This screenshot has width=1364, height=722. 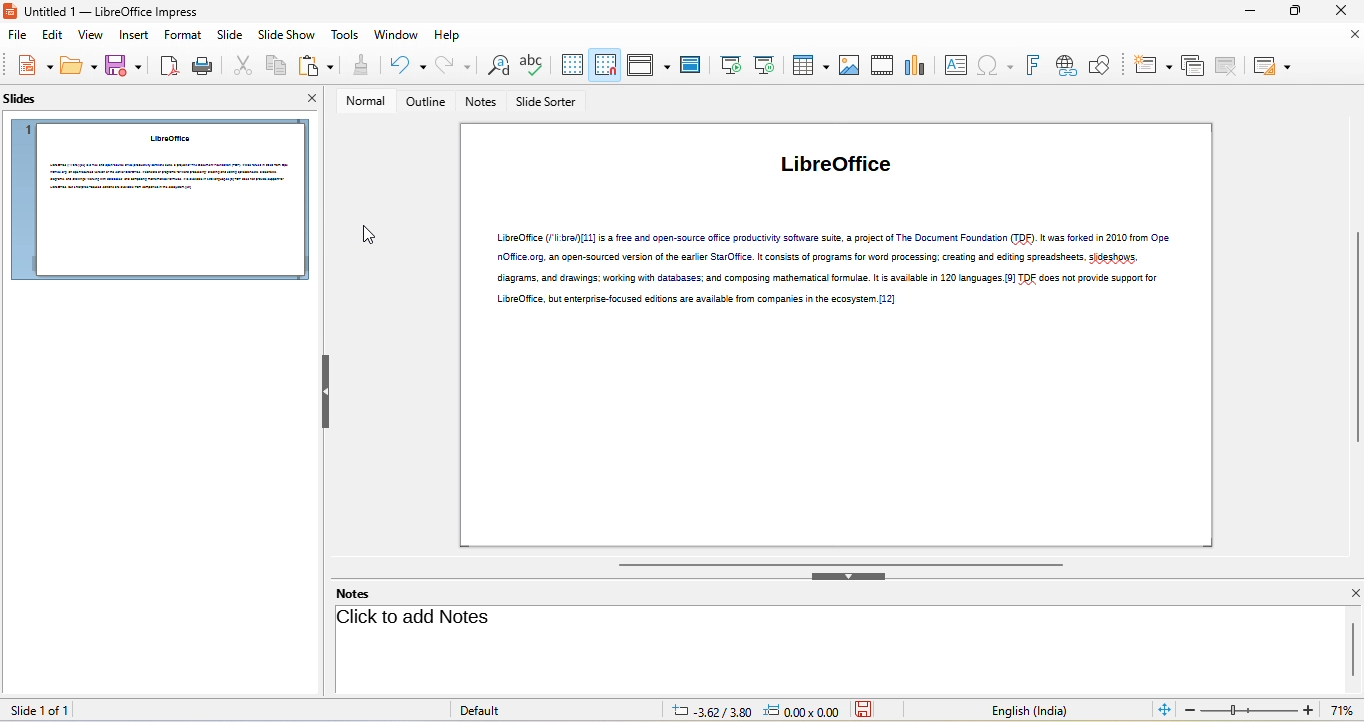 What do you see at coordinates (452, 35) in the screenshot?
I see `help` at bounding box center [452, 35].